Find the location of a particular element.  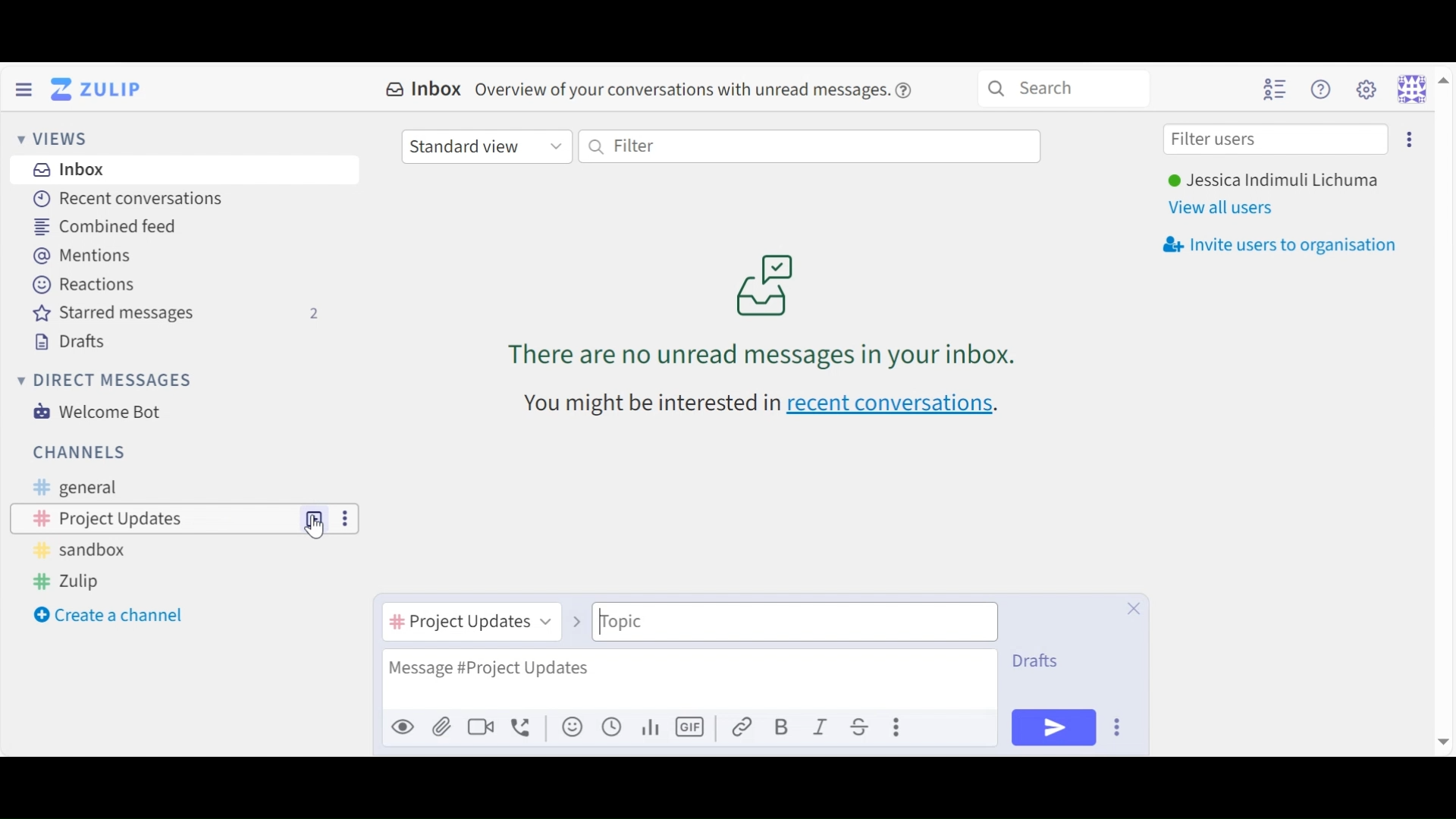

Inbox is located at coordinates (71, 171).